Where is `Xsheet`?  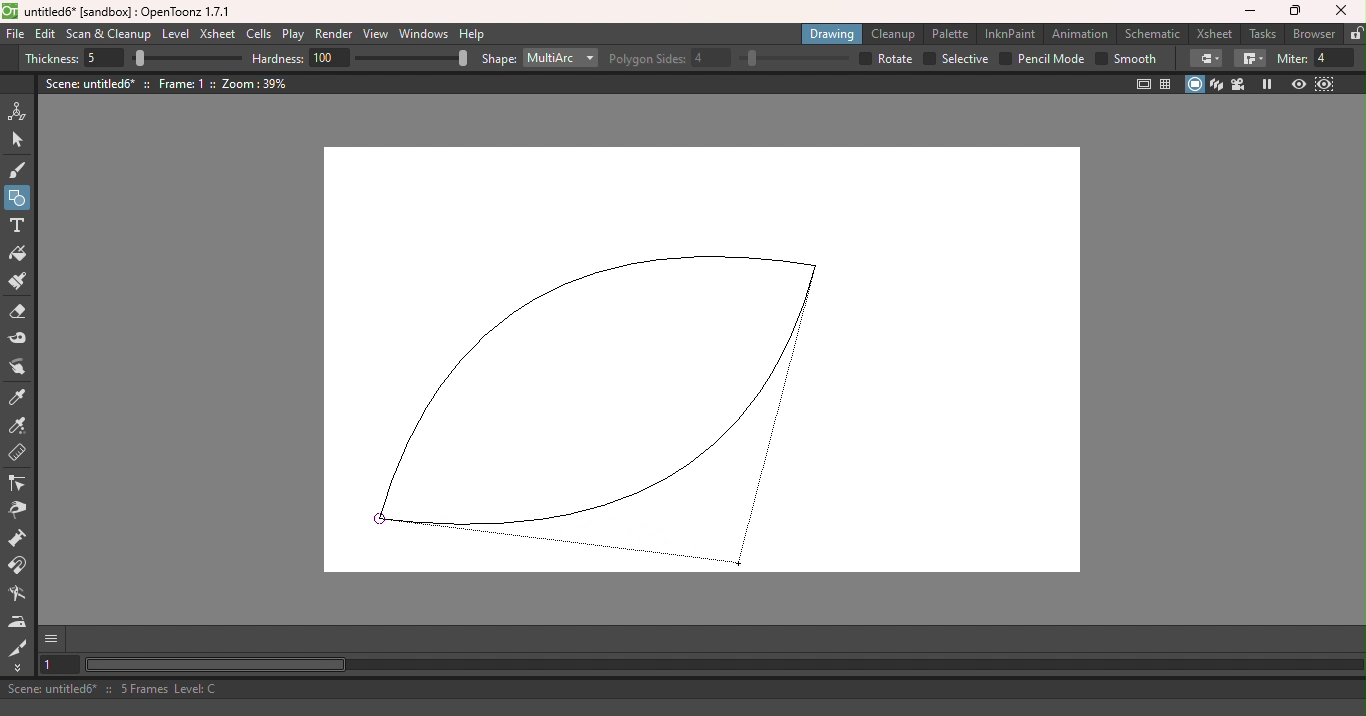
Xsheet is located at coordinates (1214, 33).